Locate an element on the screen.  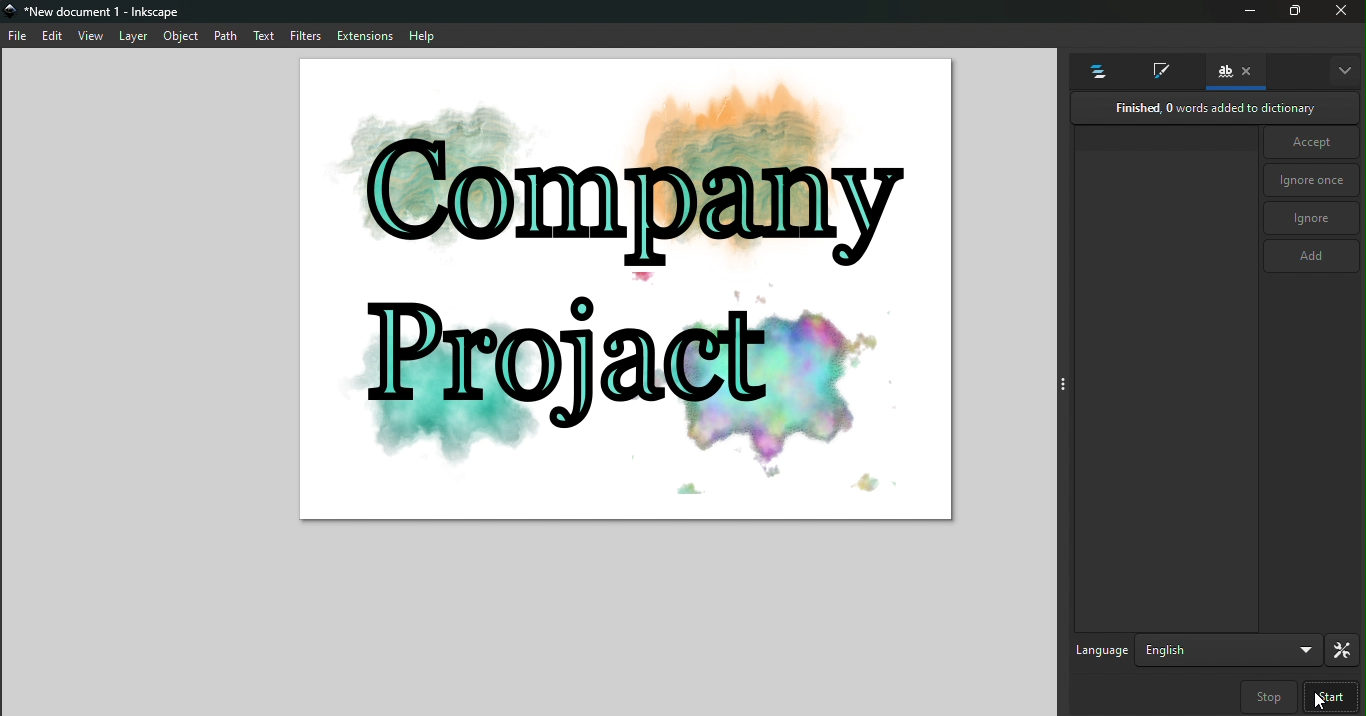
minimize is located at coordinates (1249, 12).